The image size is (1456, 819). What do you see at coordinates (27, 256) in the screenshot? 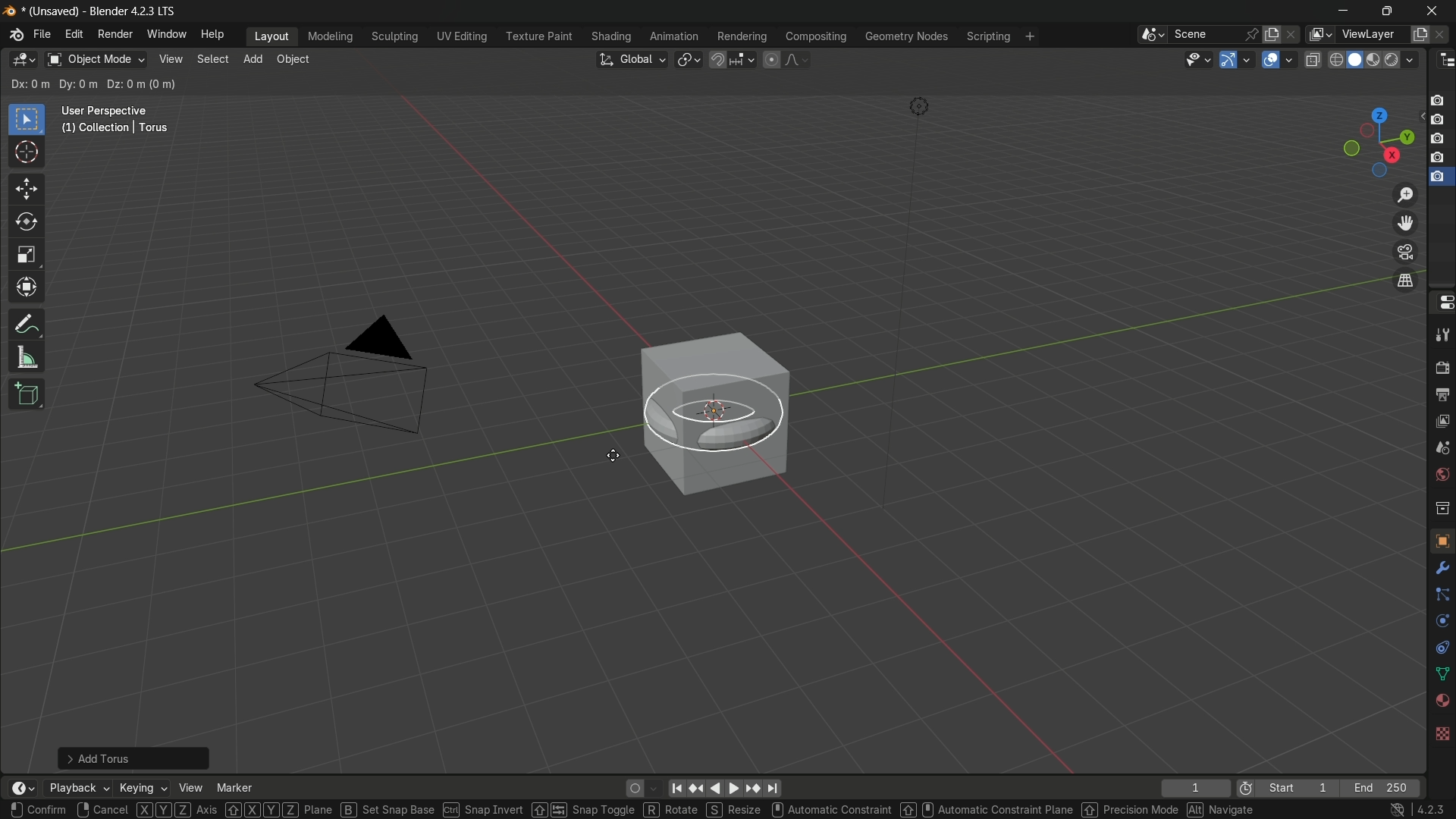
I see `scale` at bounding box center [27, 256].